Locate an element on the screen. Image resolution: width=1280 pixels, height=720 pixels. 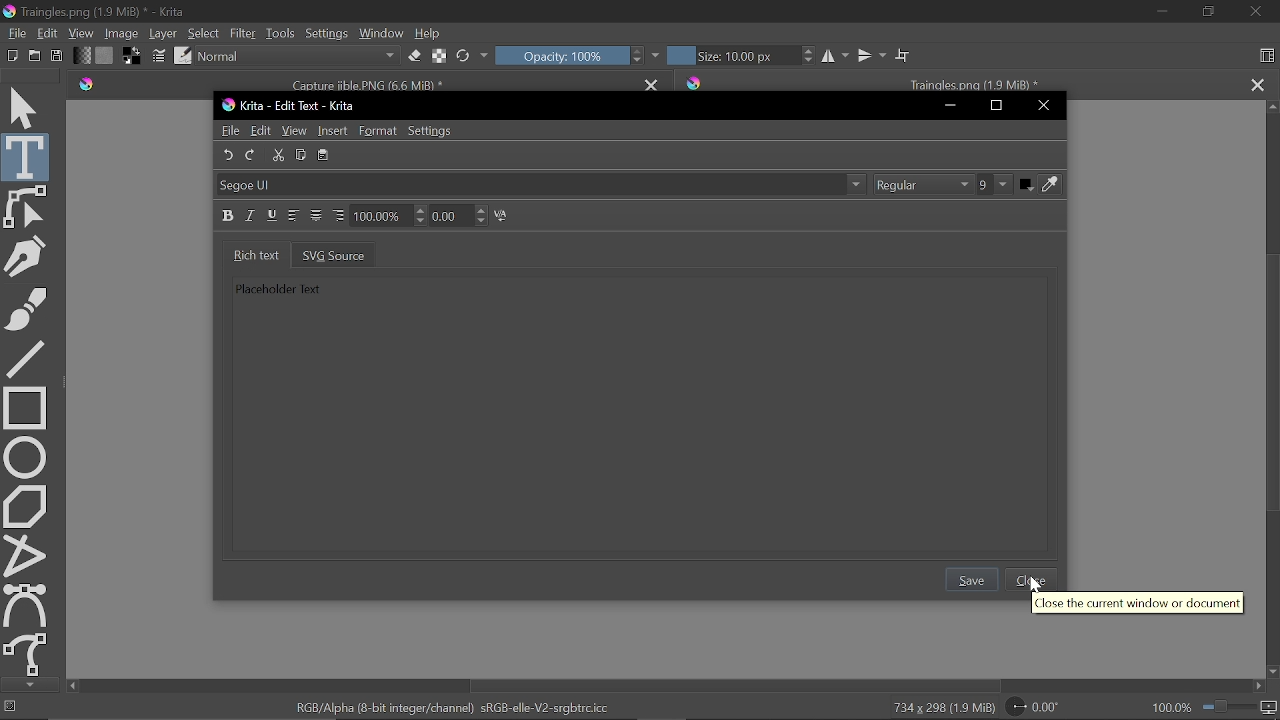
RGB/Alpha (8 - bit integer/channel) sRGB is located at coordinates (455, 707).